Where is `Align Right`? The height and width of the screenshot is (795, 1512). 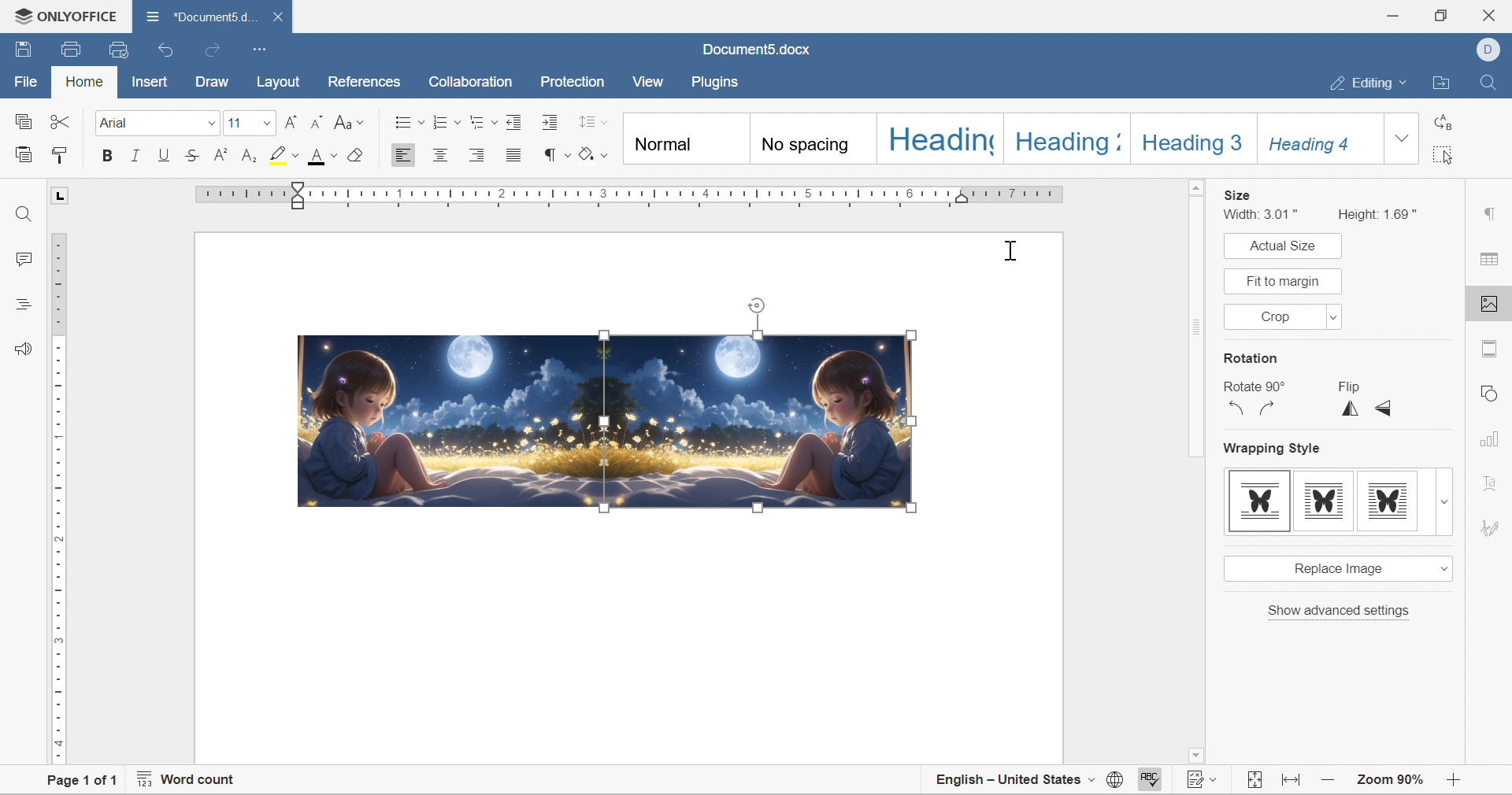
Align Right is located at coordinates (482, 155).